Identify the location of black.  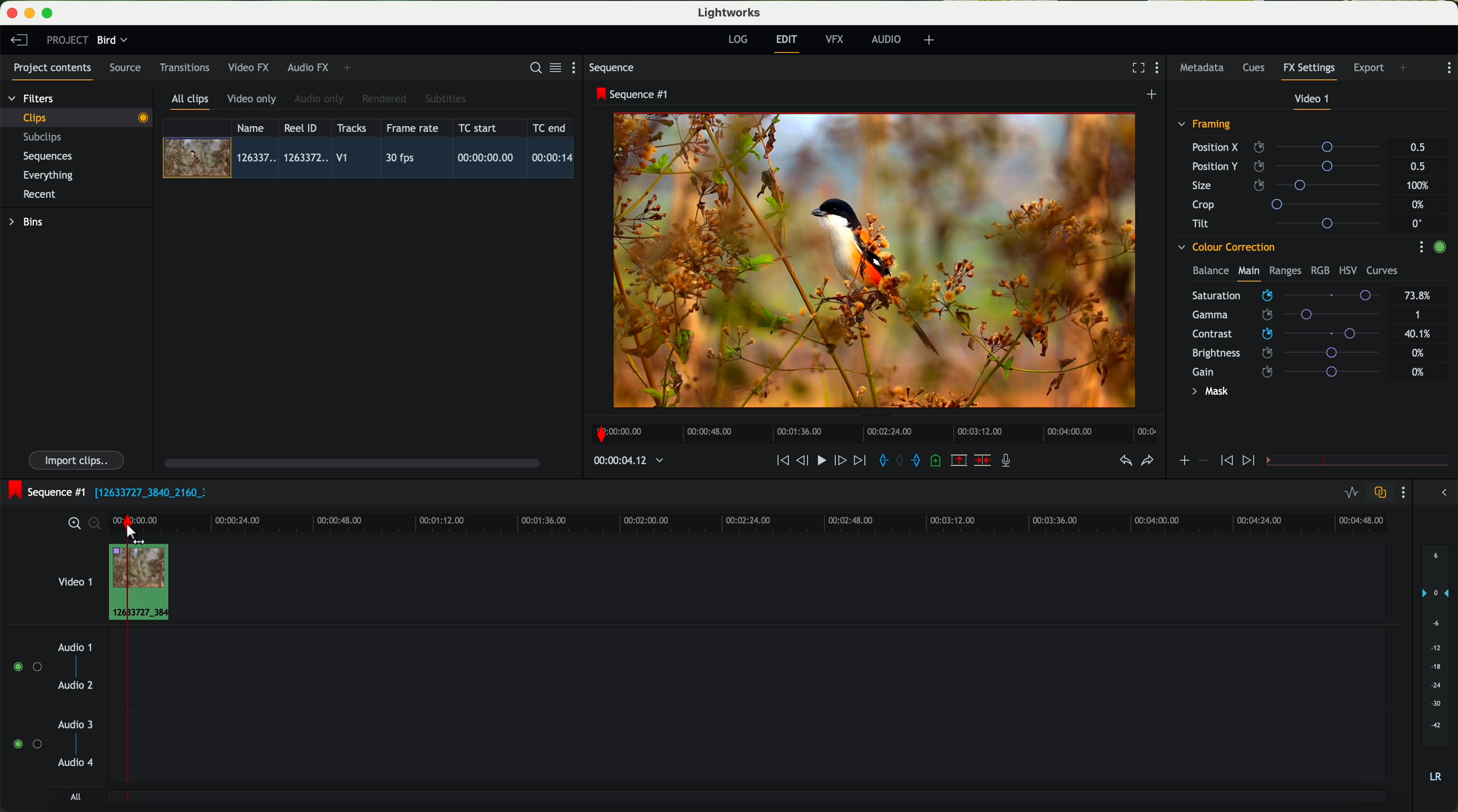
(146, 491).